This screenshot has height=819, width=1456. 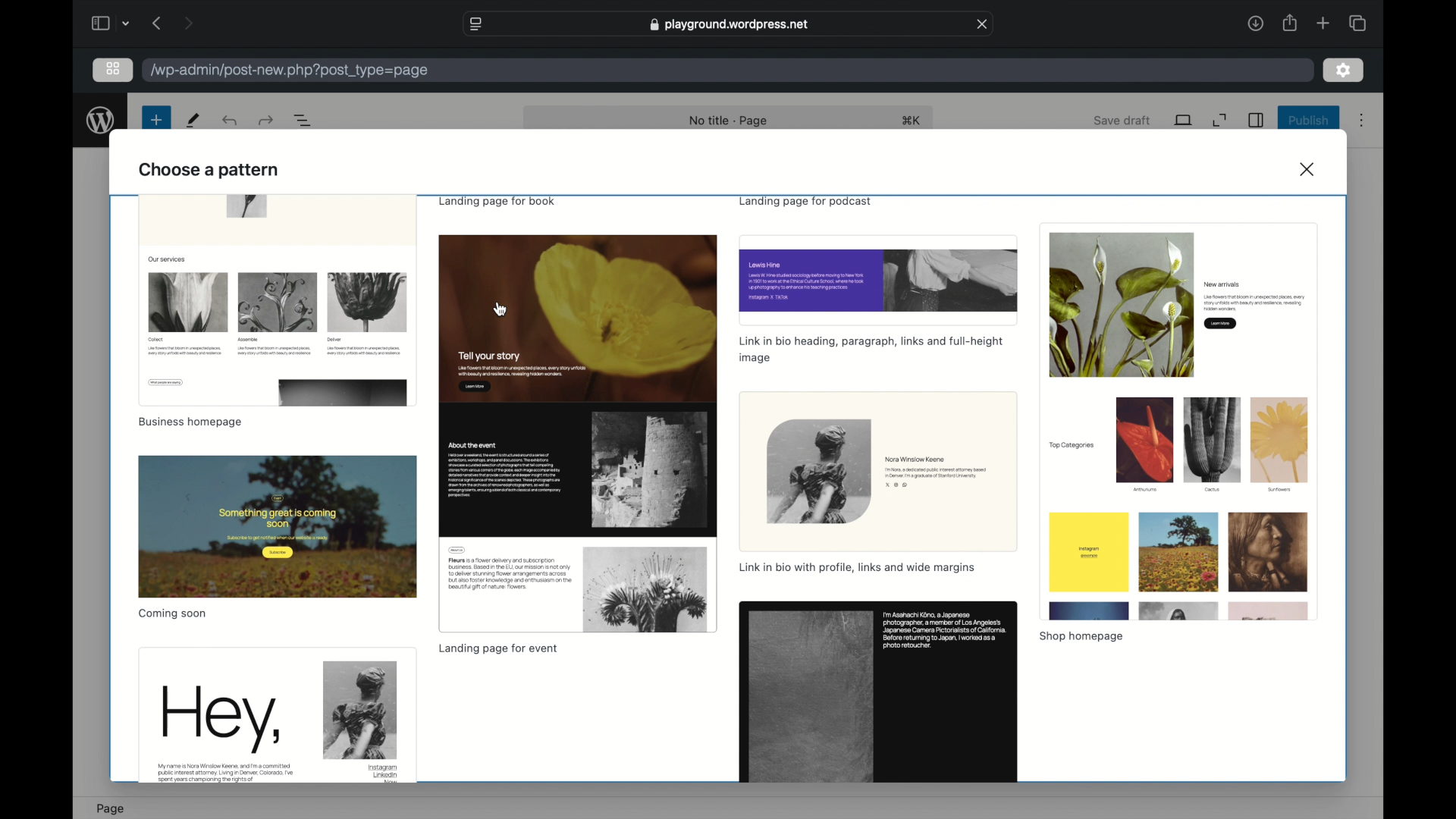 I want to click on publish, so click(x=1310, y=121).